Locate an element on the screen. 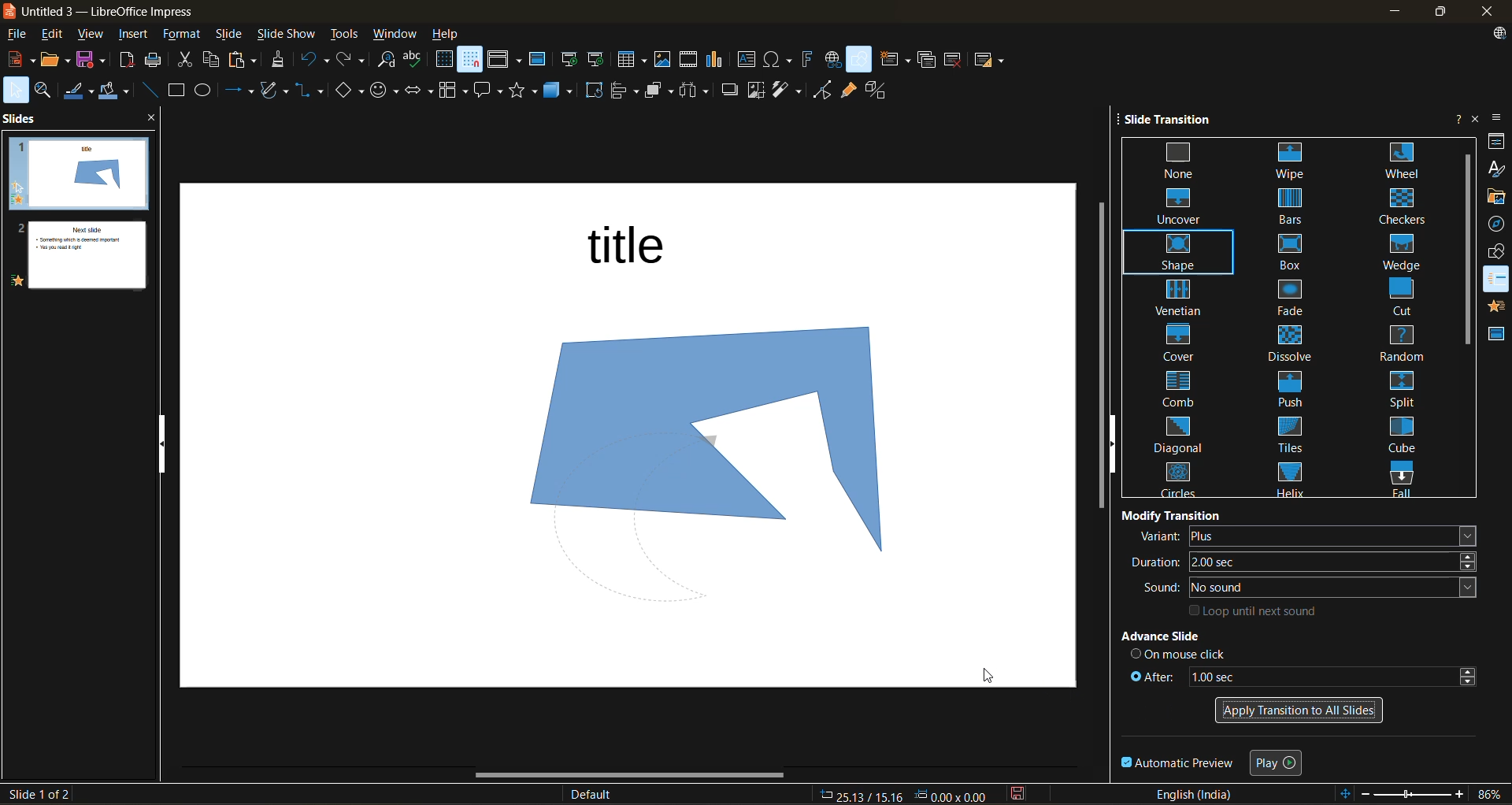 The width and height of the screenshot is (1512, 805). zoom and pan is located at coordinates (46, 91).